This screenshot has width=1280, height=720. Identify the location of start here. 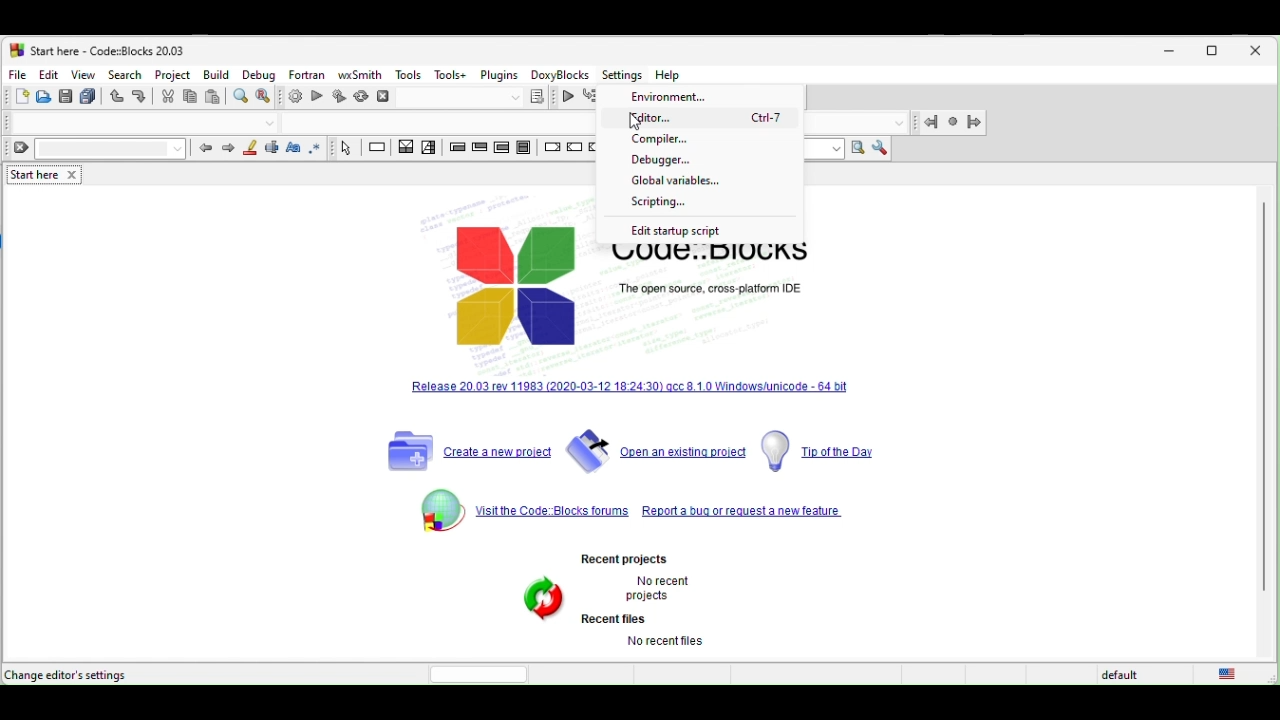
(47, 174).